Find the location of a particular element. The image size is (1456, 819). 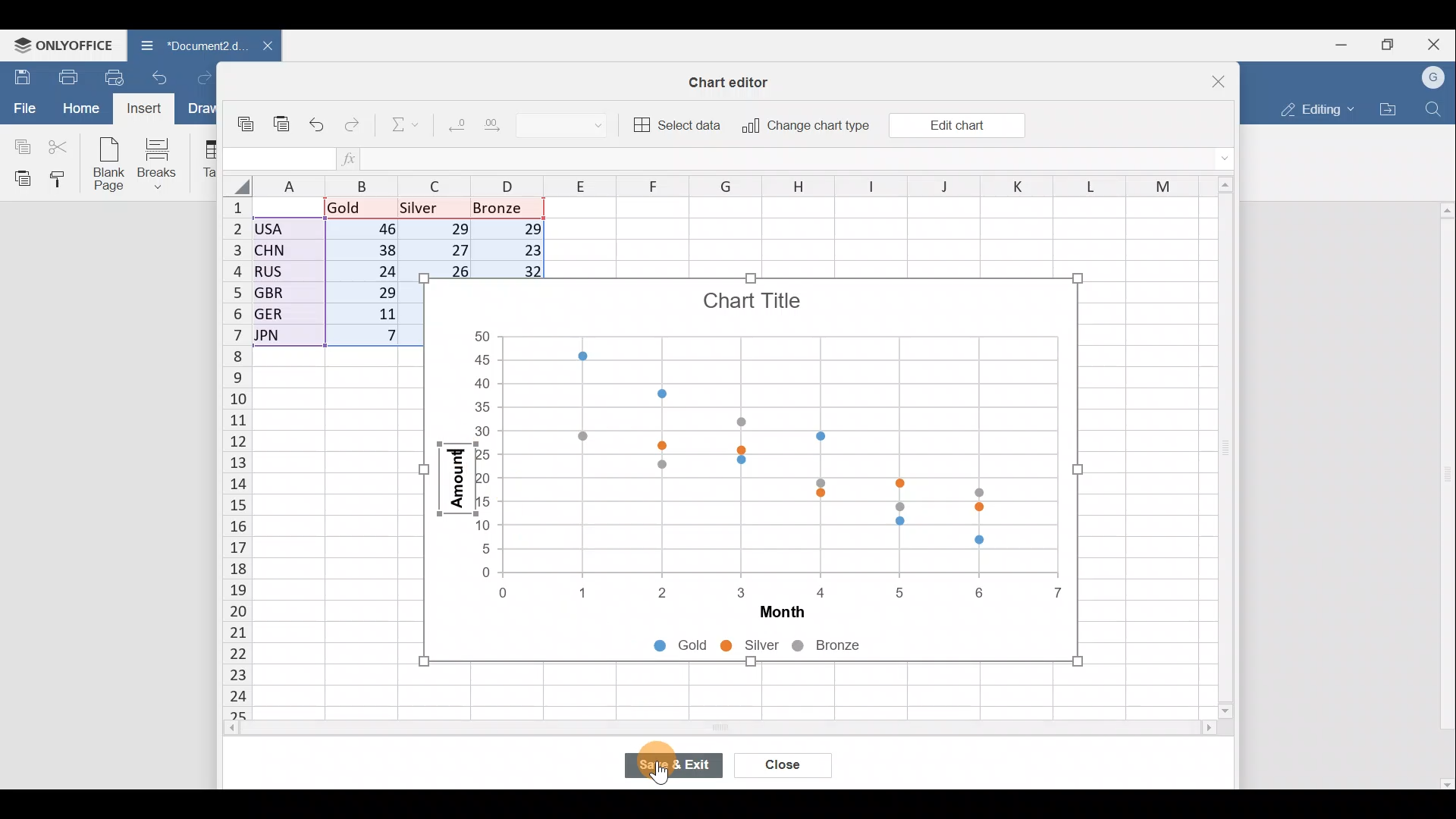

Month is located at coordinates (775, 614).